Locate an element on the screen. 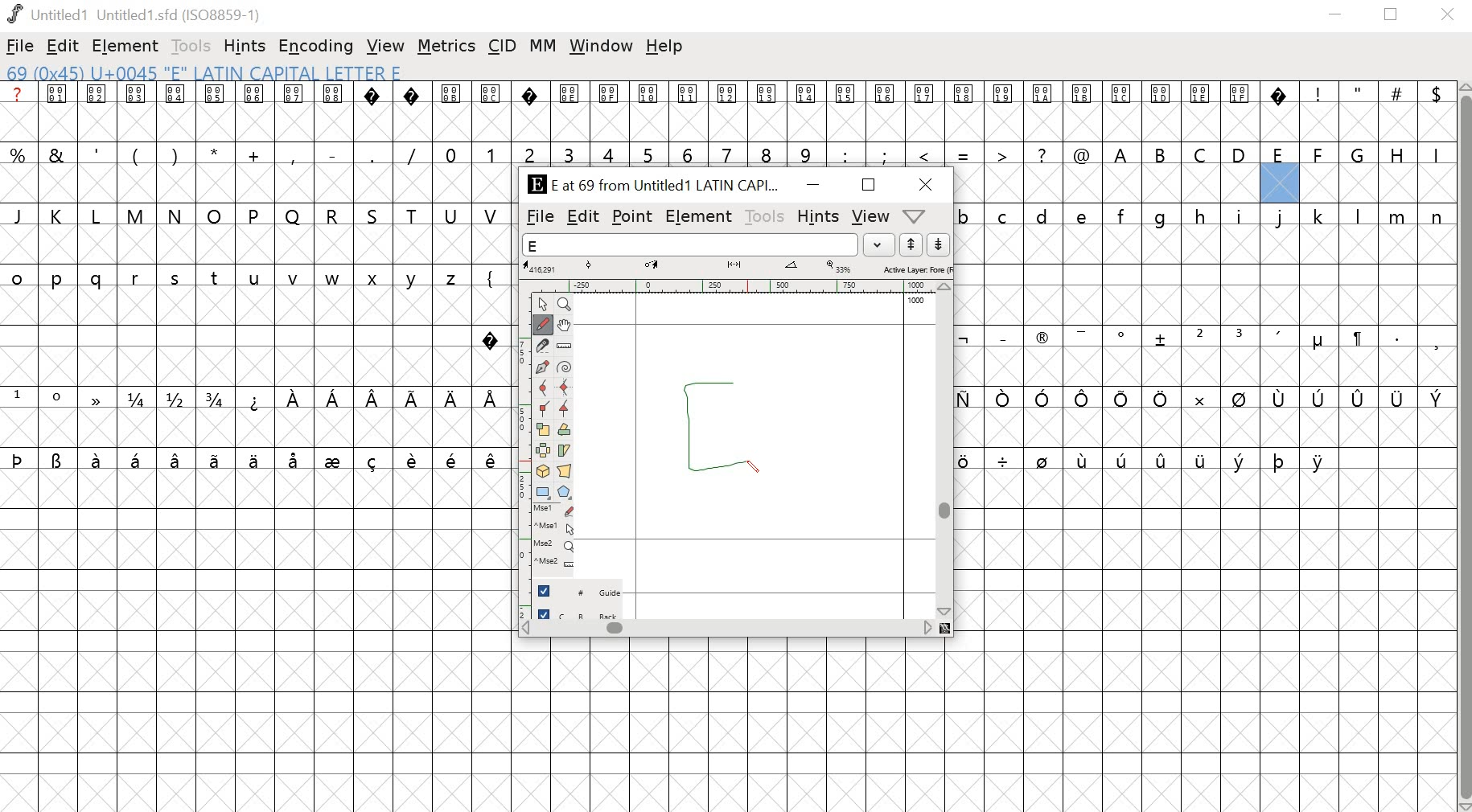  special characters is located at coordinates (254, 397).